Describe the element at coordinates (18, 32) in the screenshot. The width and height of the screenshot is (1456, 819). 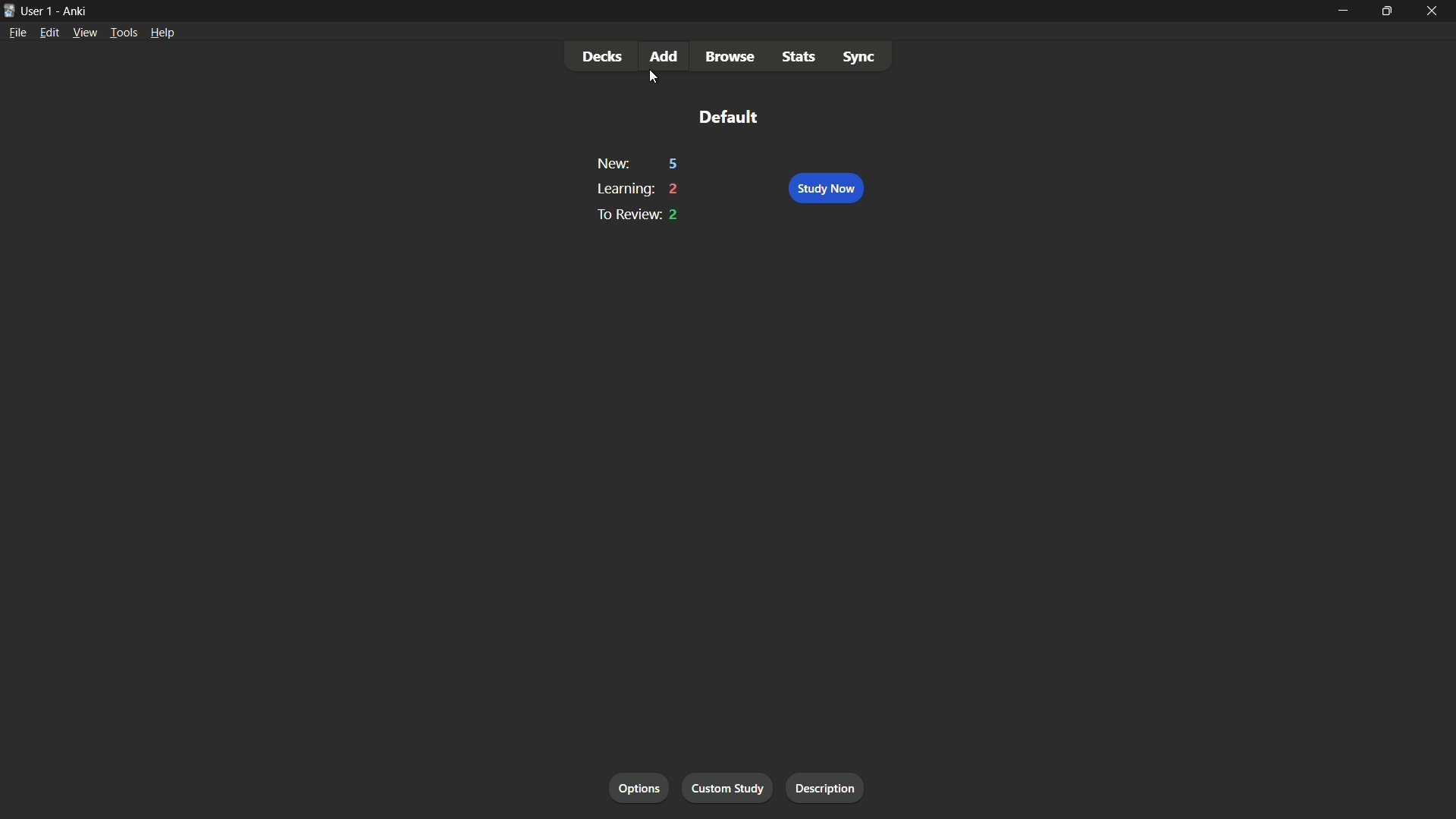
I see `file menu` at that location.